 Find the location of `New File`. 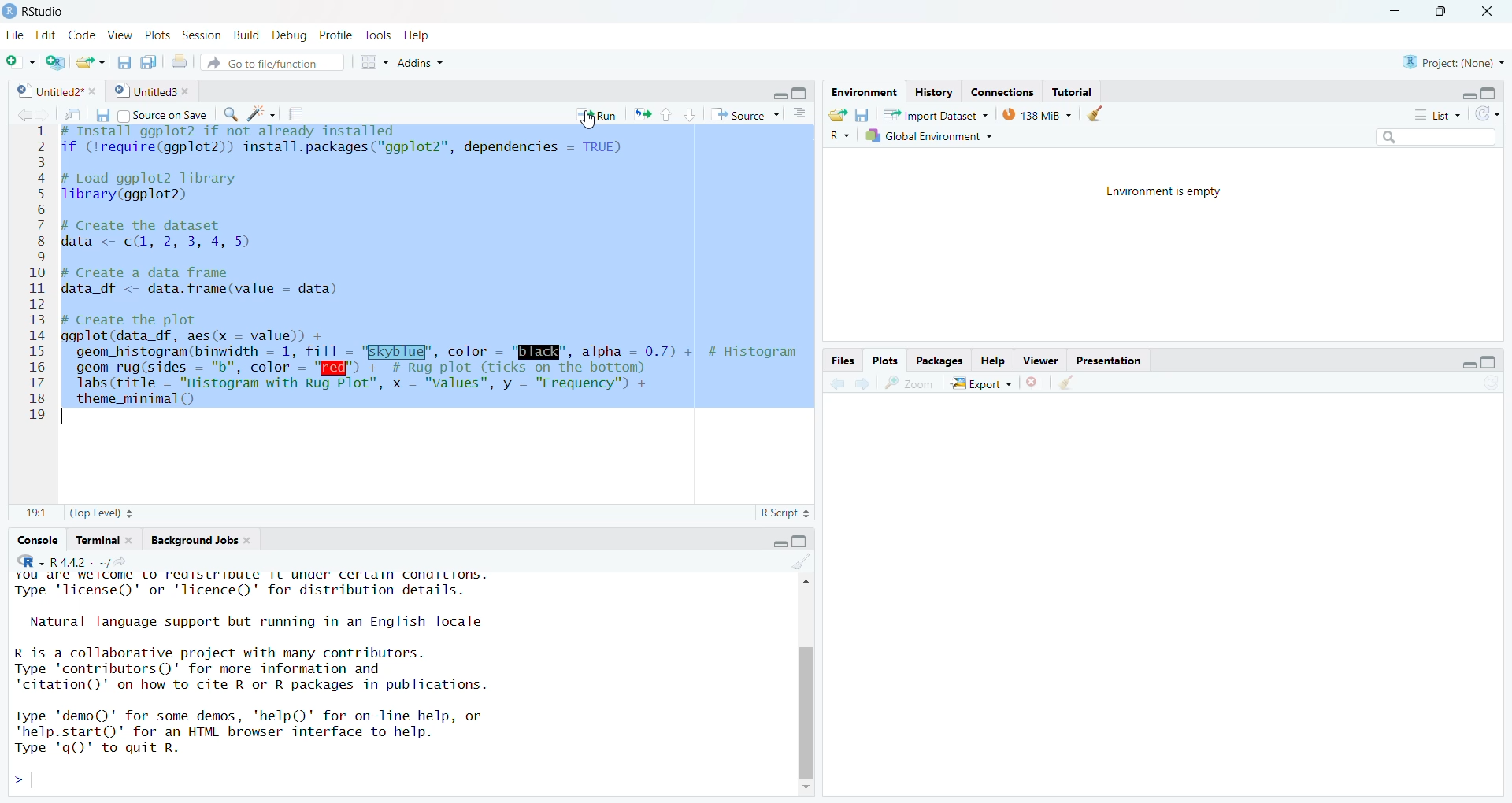

New File is located at coordinates (18, 62).